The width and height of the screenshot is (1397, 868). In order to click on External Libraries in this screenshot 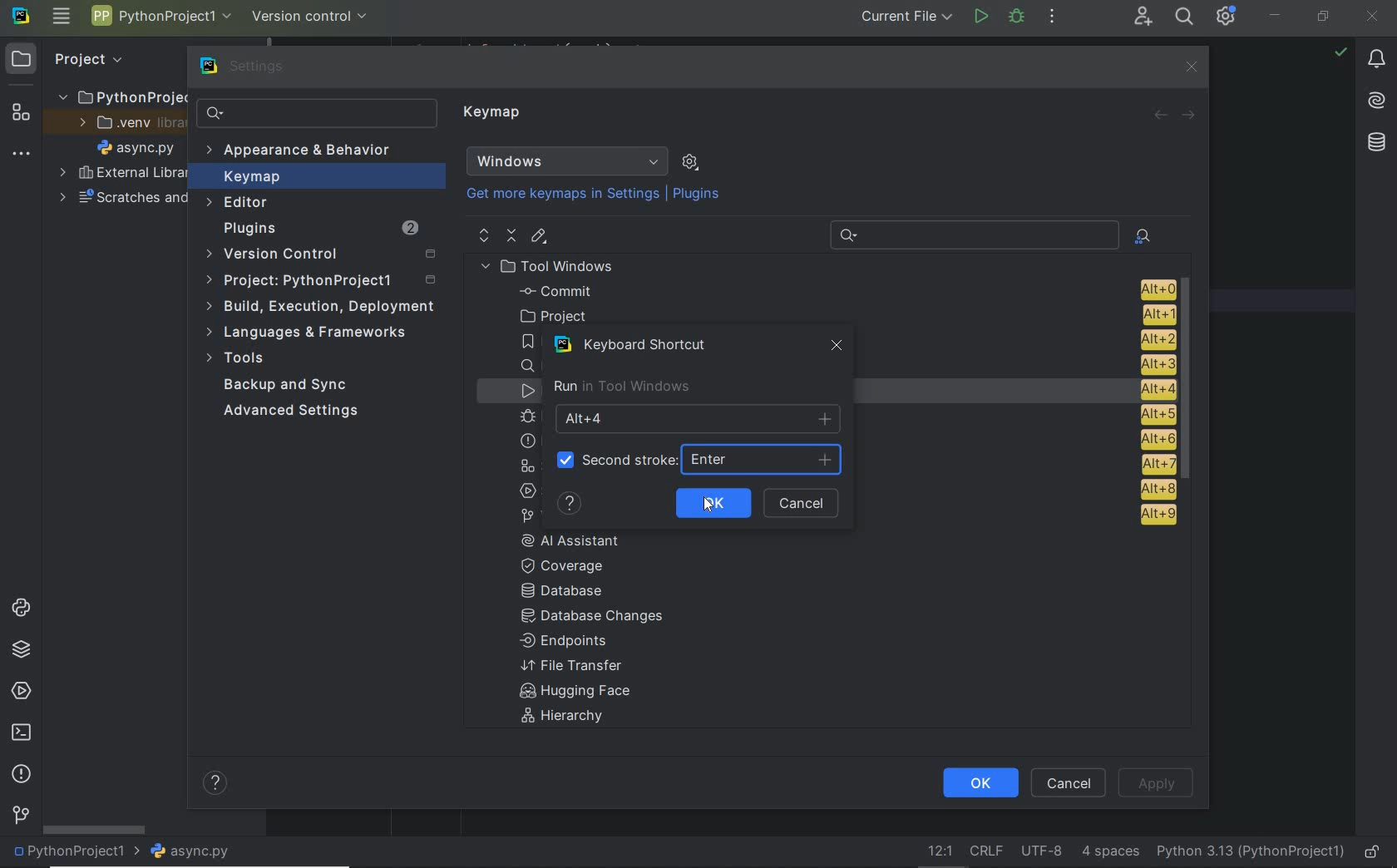, I will do `click(119, 174)`.